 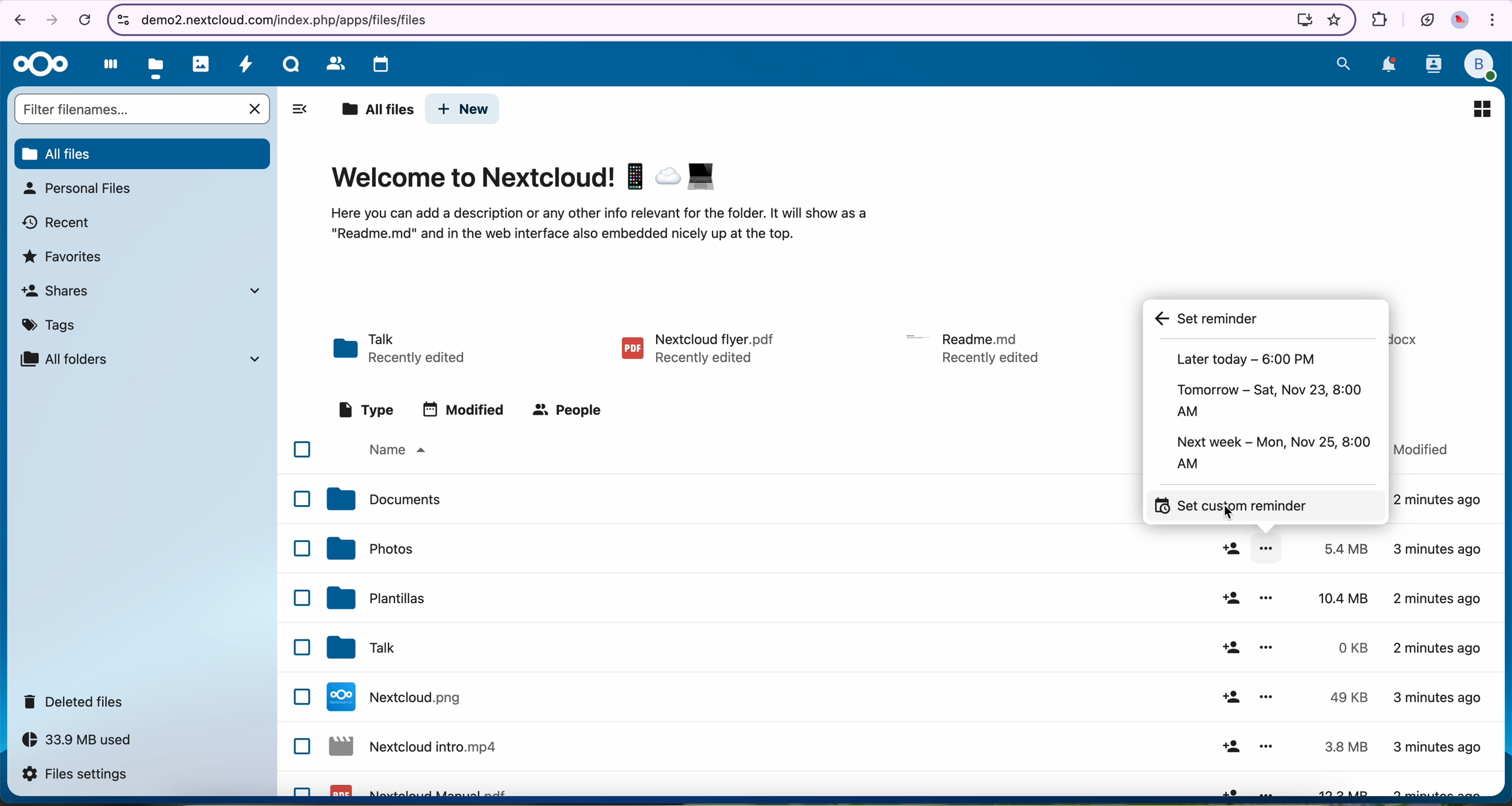 I want to click on more options opened, so click(x=1266, y=550).